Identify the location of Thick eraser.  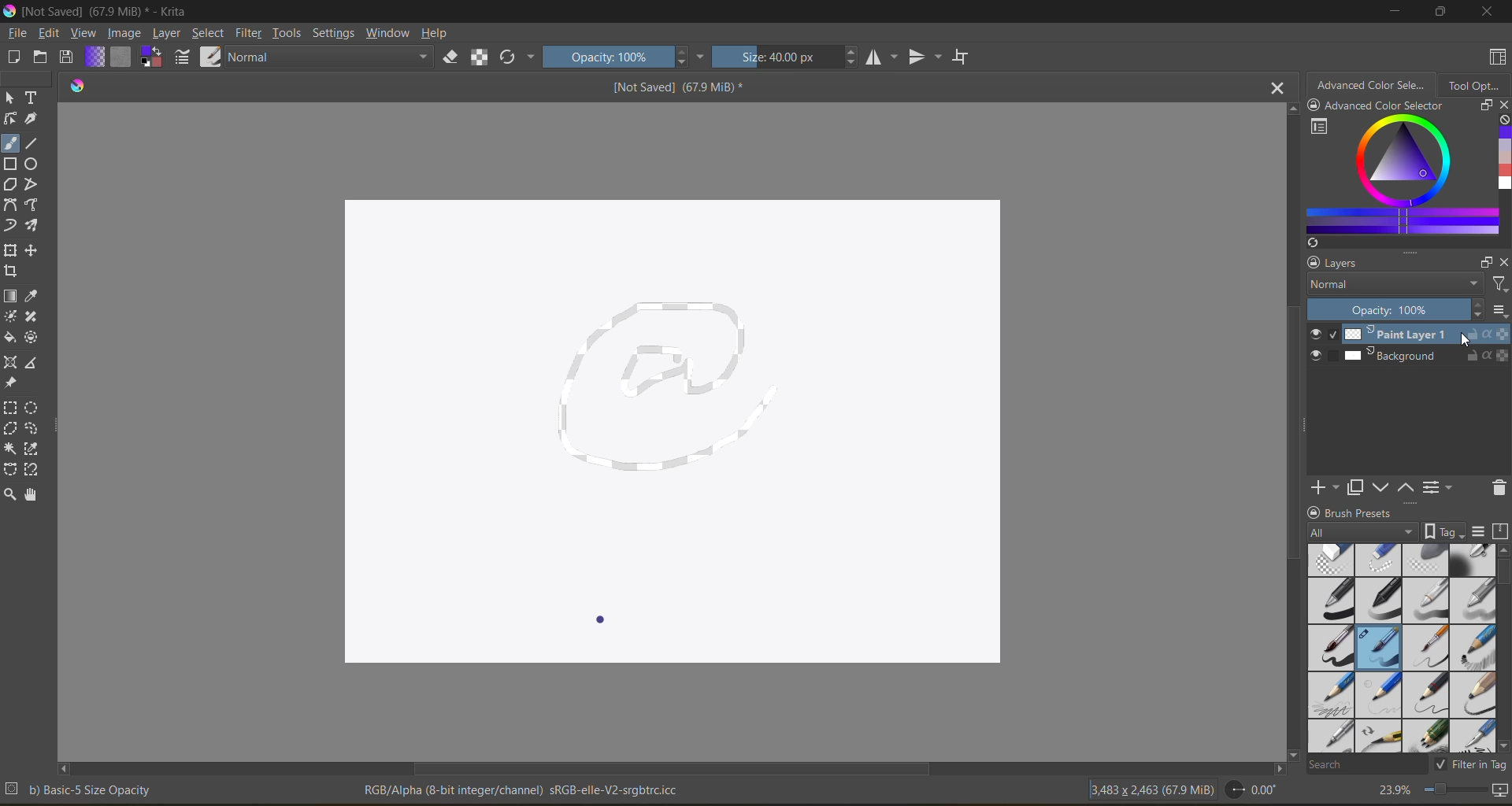
(1330, 560).